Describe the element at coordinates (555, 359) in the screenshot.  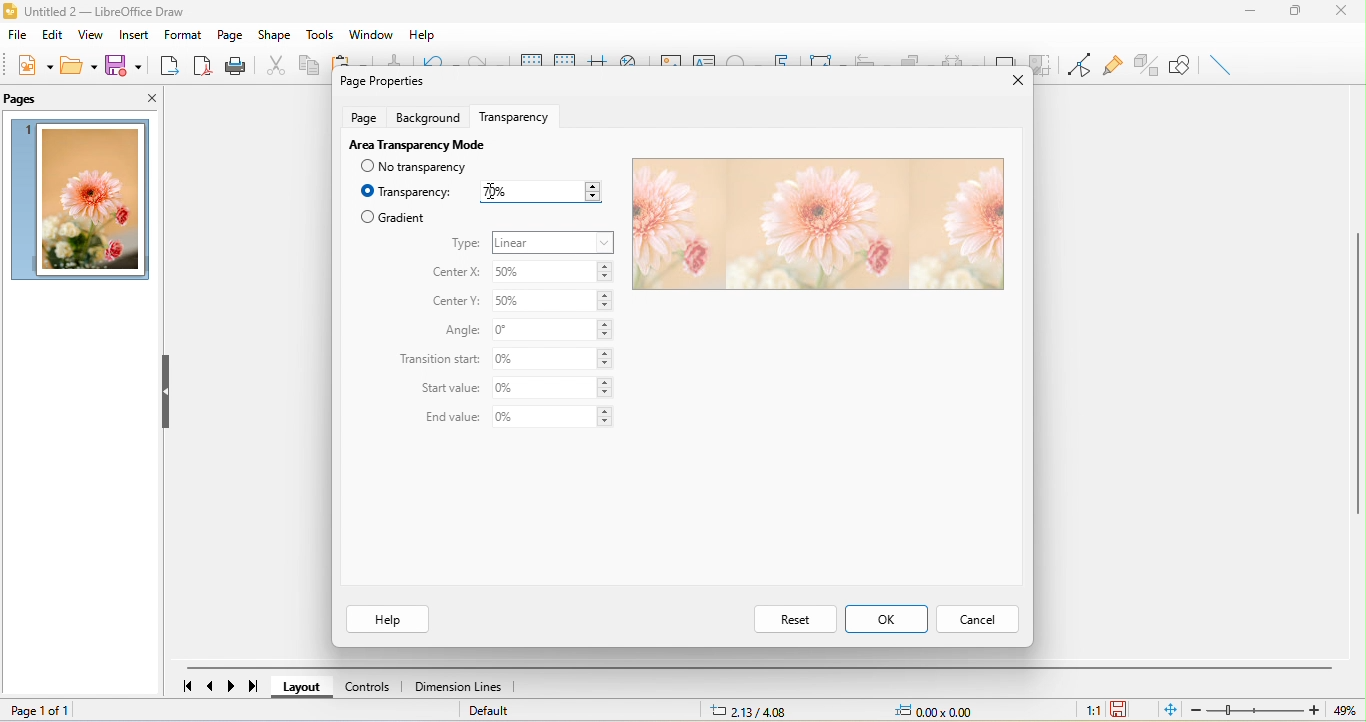
I see `0%` at that location.